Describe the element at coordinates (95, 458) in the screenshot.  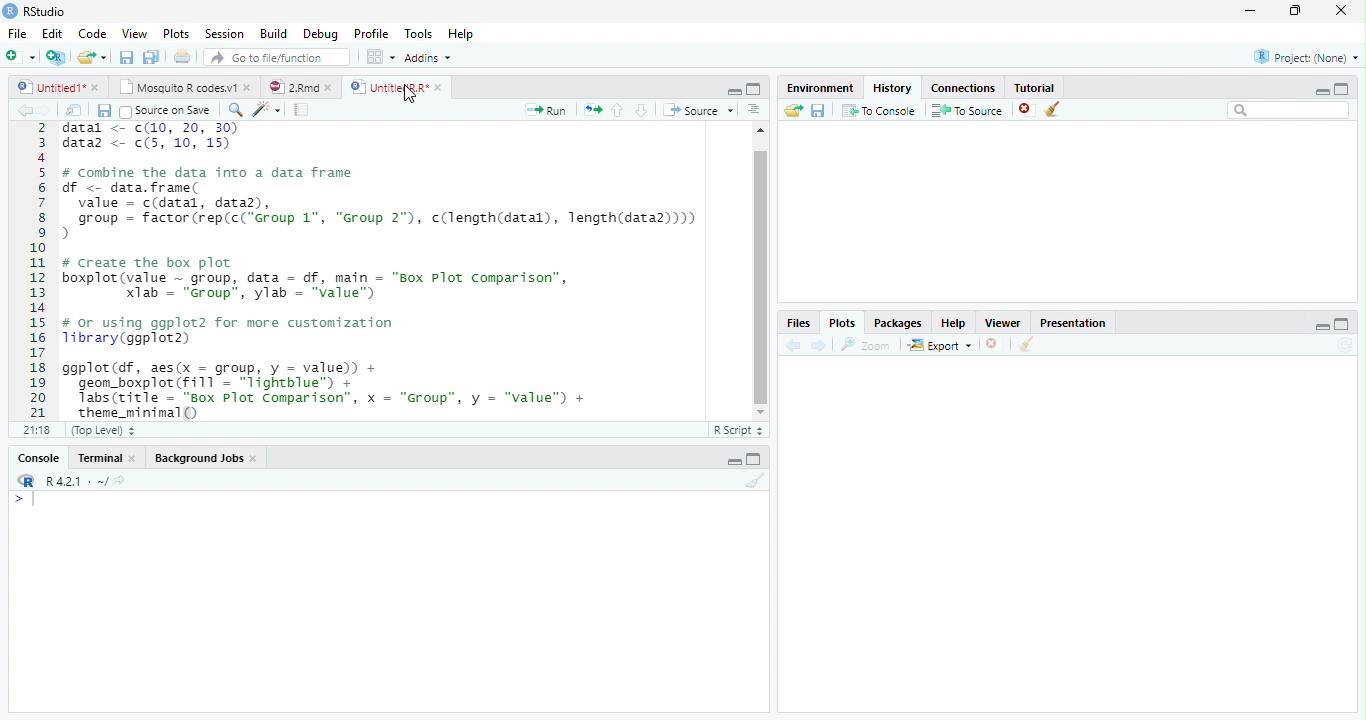
I see `Terminal` at that location.